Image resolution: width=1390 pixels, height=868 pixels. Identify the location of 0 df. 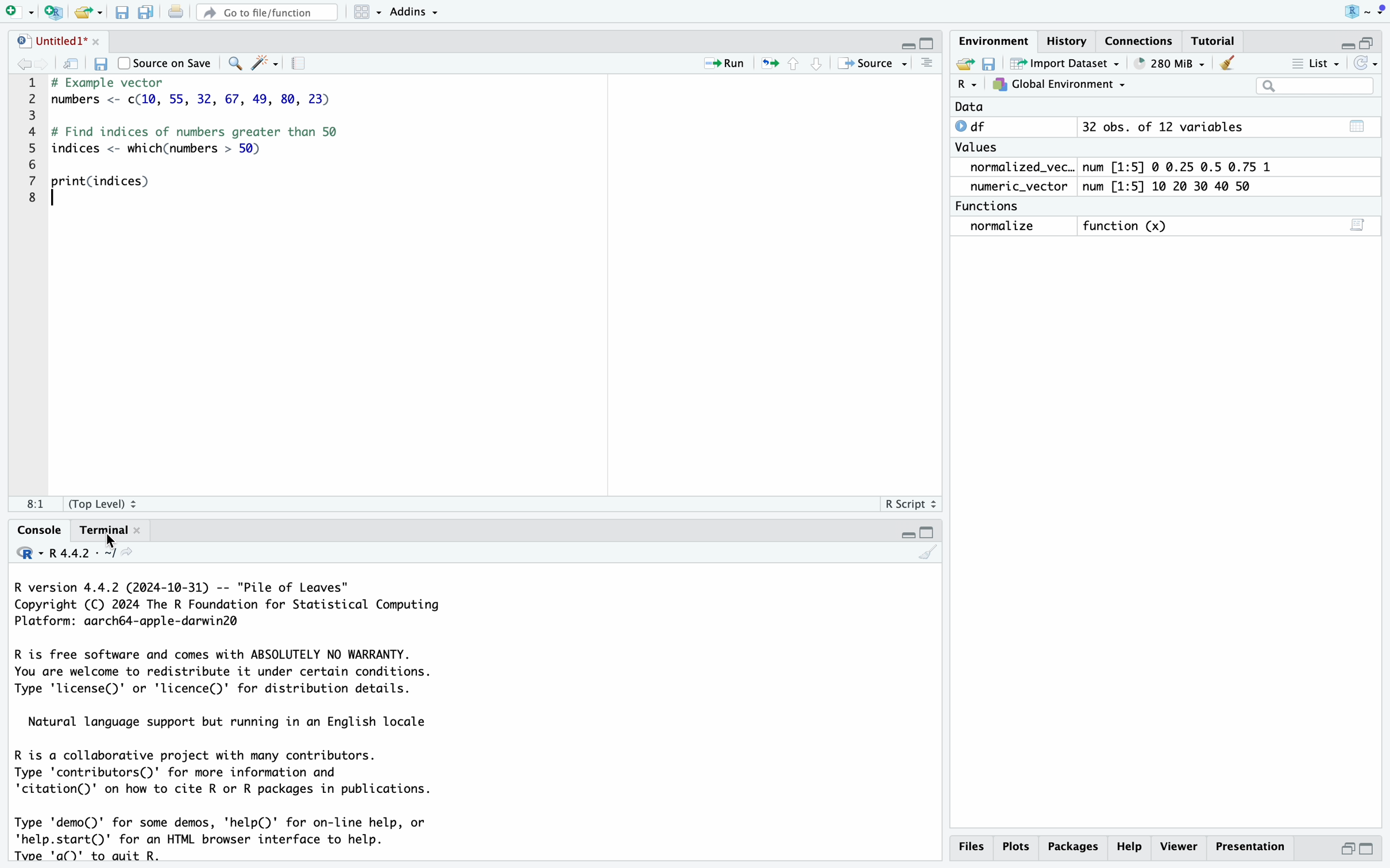
(976, 126).